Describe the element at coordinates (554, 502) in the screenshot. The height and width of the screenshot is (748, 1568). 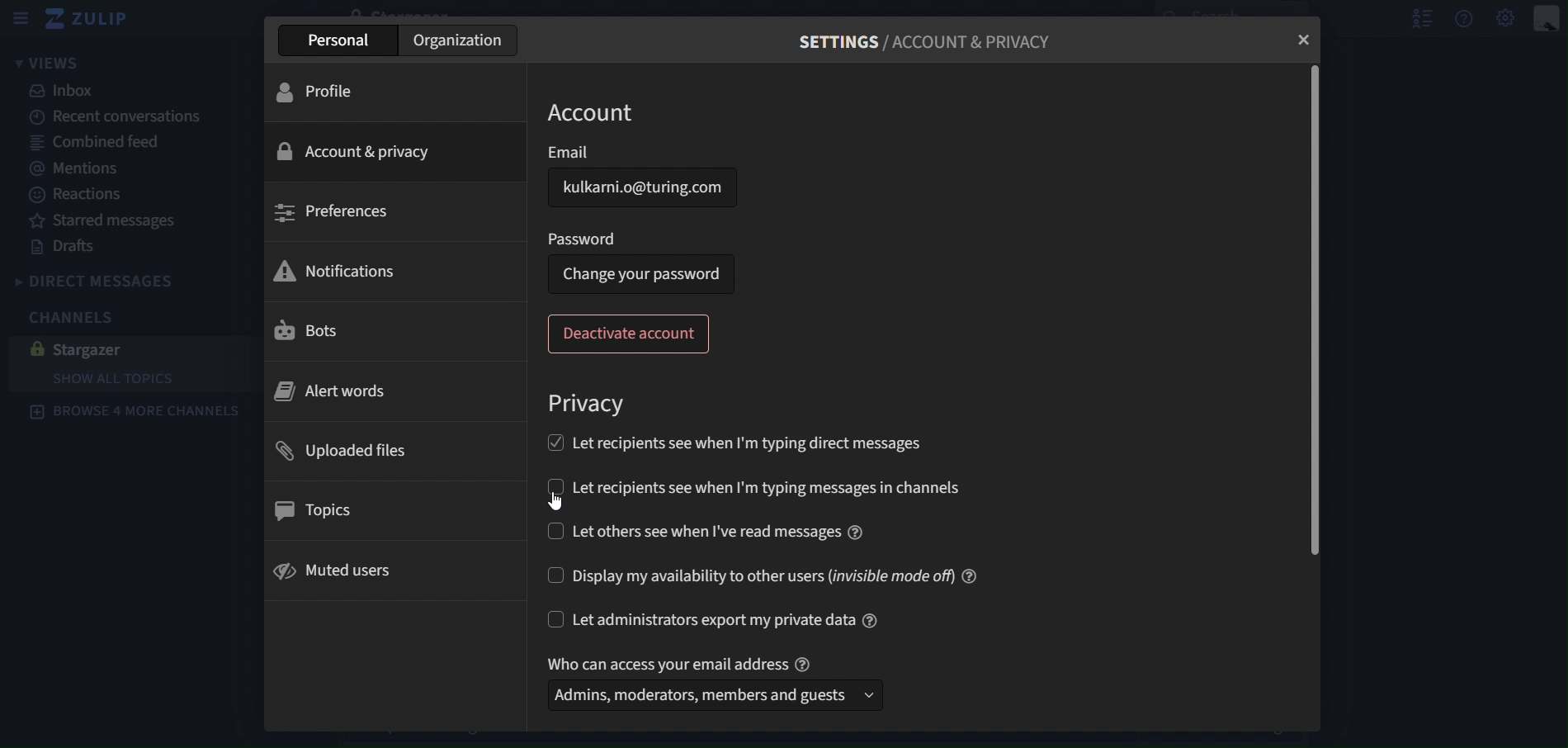
I see `cursor` at that location.